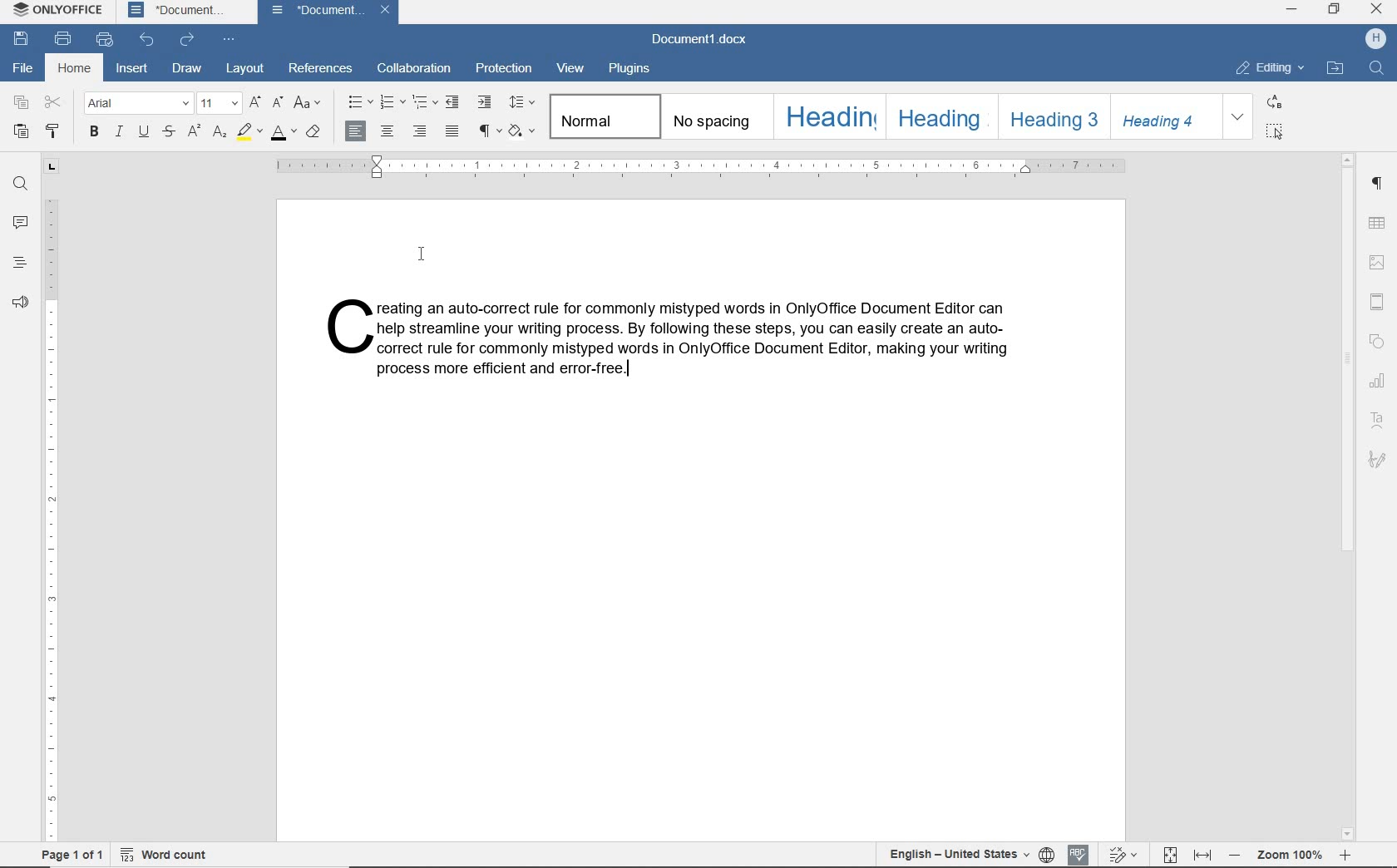 The image size is (1397, 868). I want to click on FIT TO PAGE, so click(1171, 855).